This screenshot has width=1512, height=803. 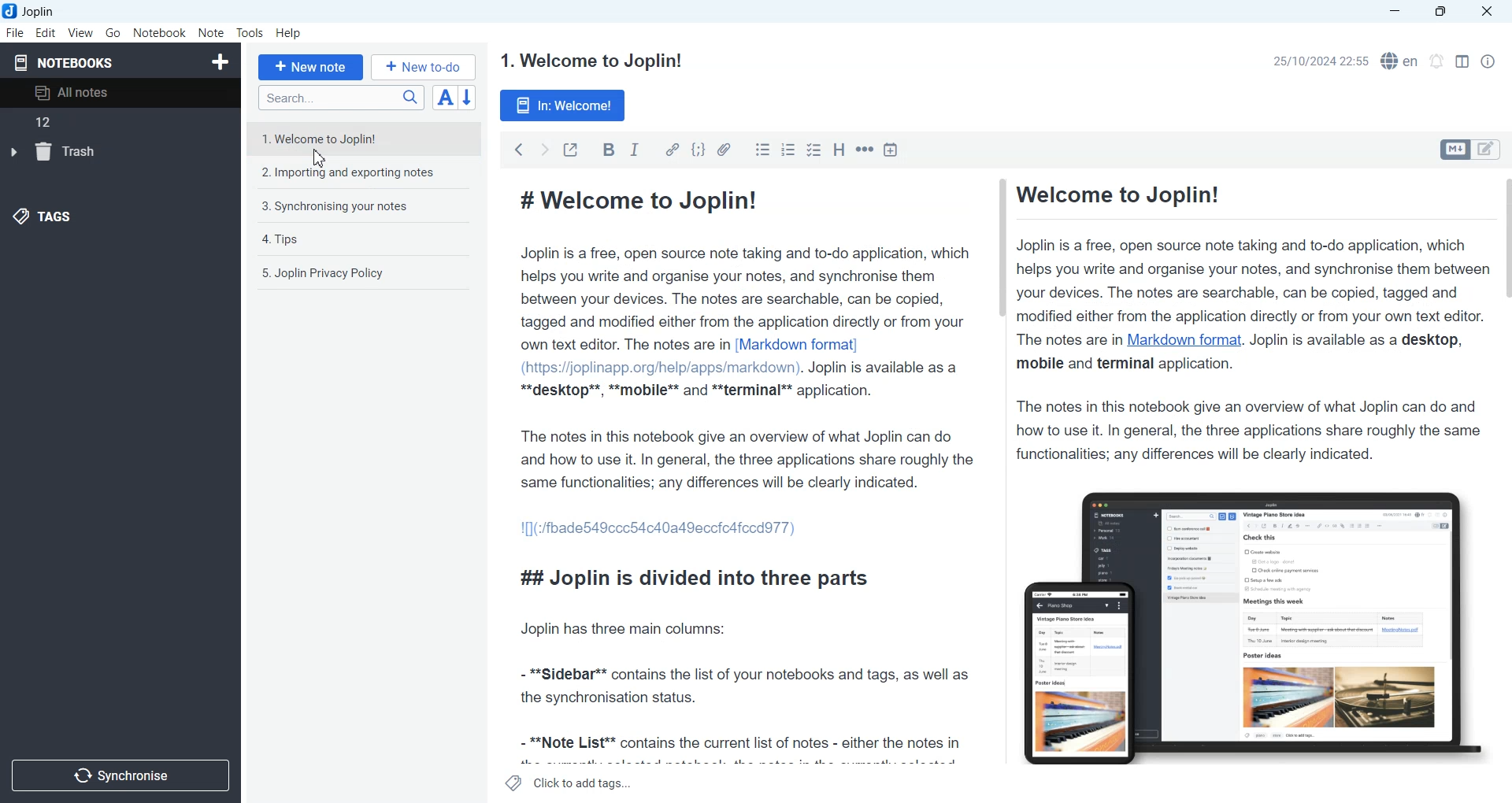 I want to click on Code, so click(x=699, y=150).